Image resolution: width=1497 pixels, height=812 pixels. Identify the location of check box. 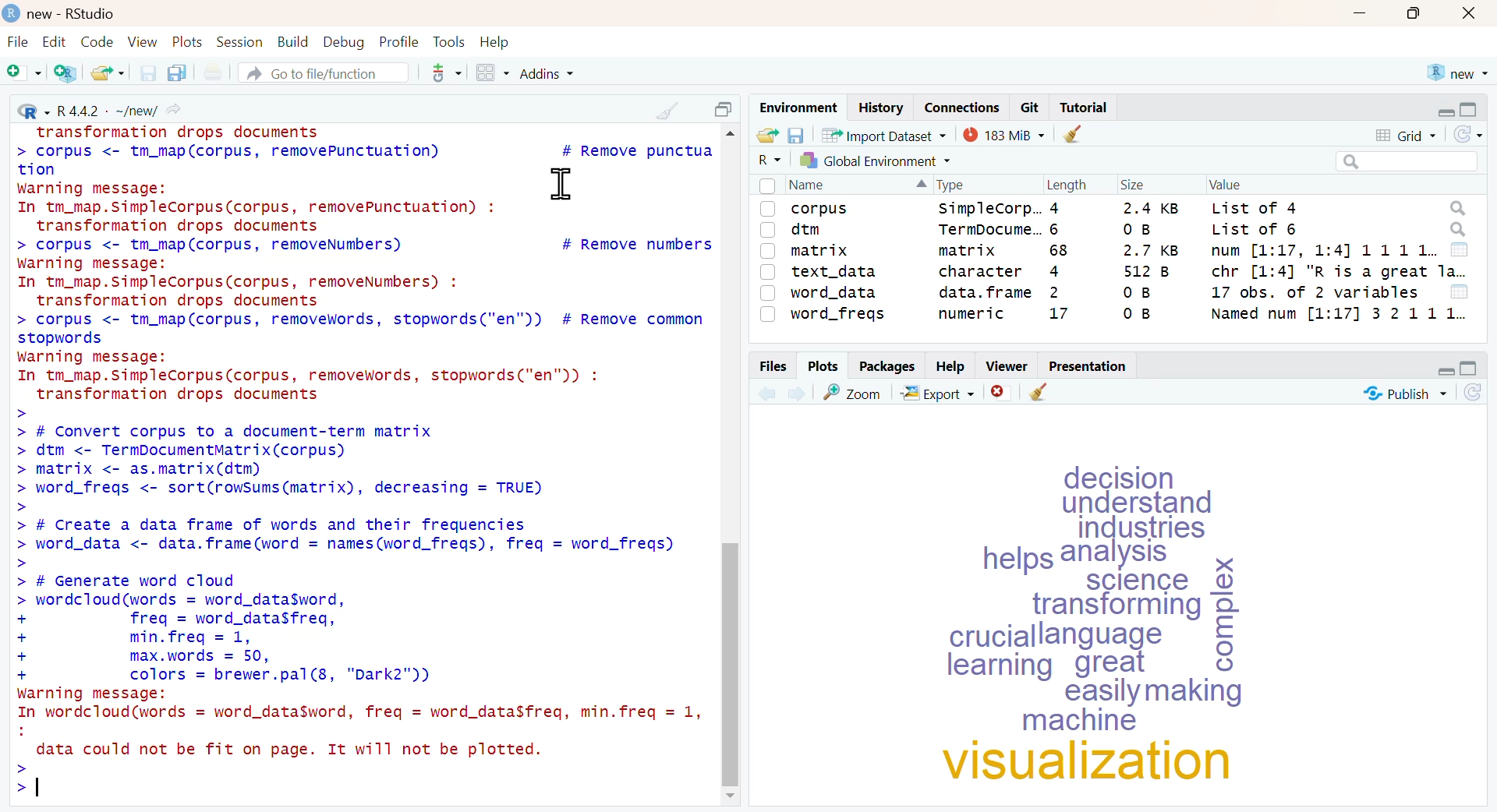
(767, 229).